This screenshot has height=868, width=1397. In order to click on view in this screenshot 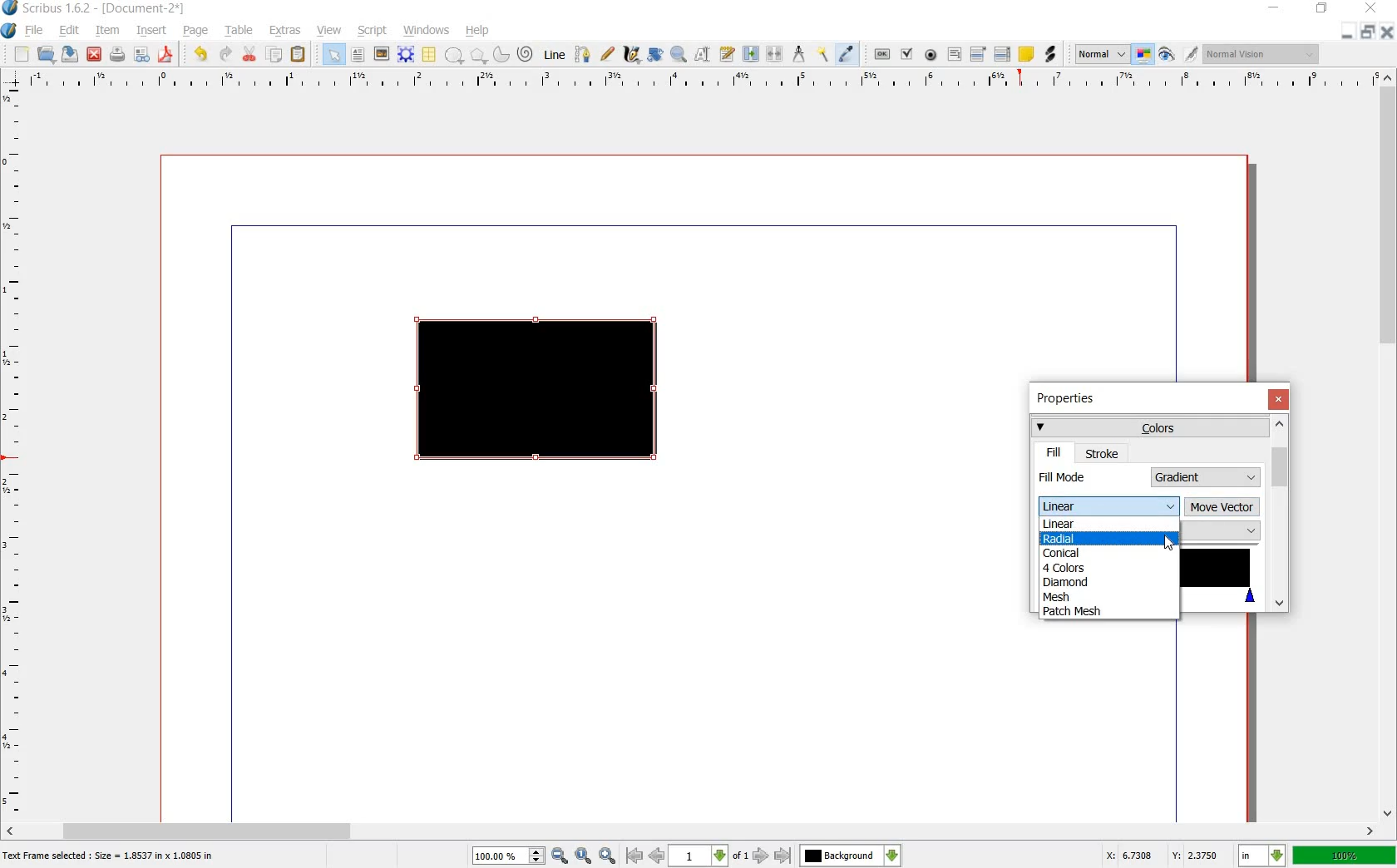, I will do `click(330, 31)`.